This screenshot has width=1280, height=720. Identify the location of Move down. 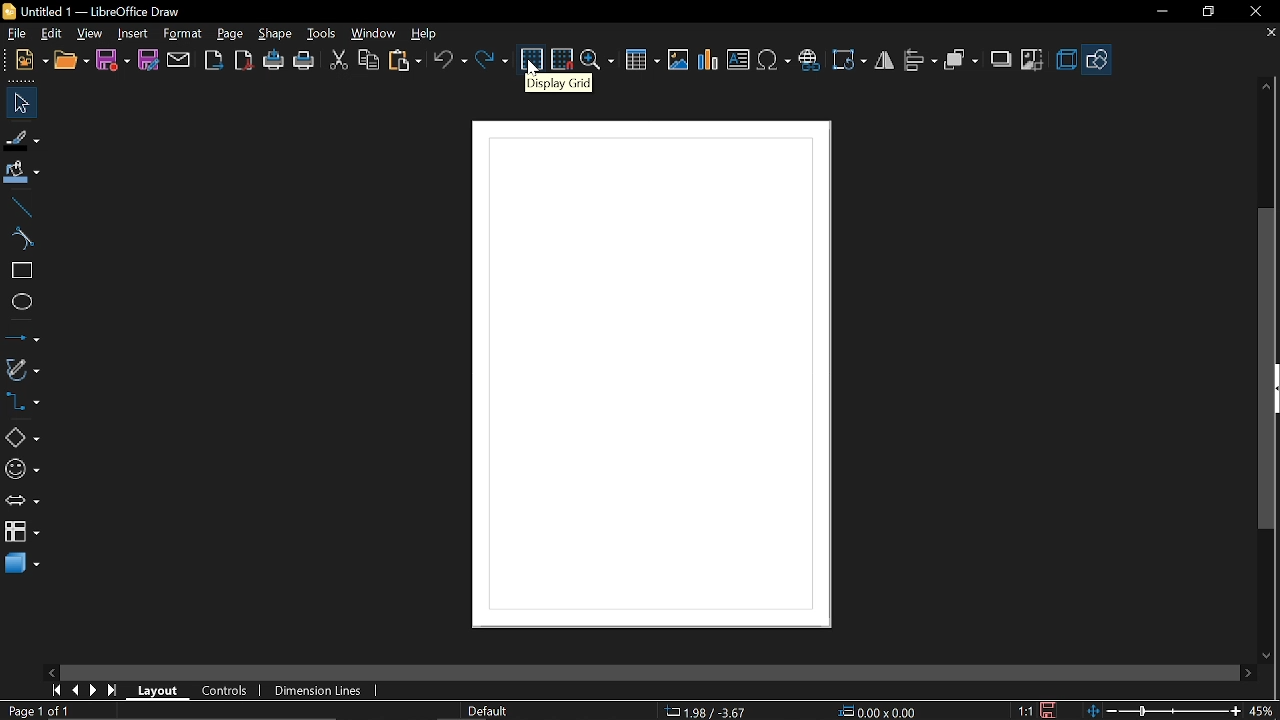
(1268, 656).